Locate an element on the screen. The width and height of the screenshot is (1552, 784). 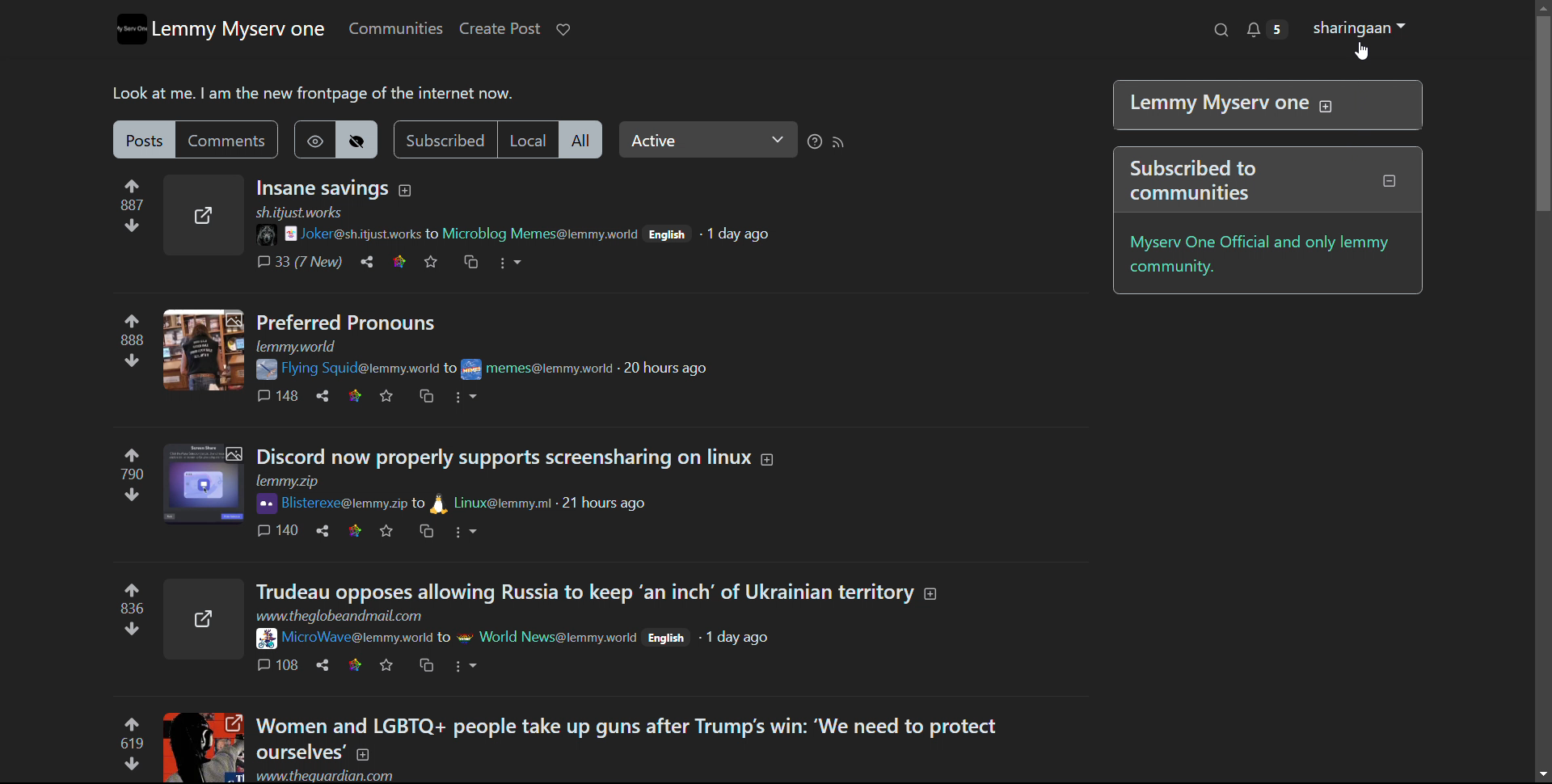
favorites is located at coordinates (386, 531).